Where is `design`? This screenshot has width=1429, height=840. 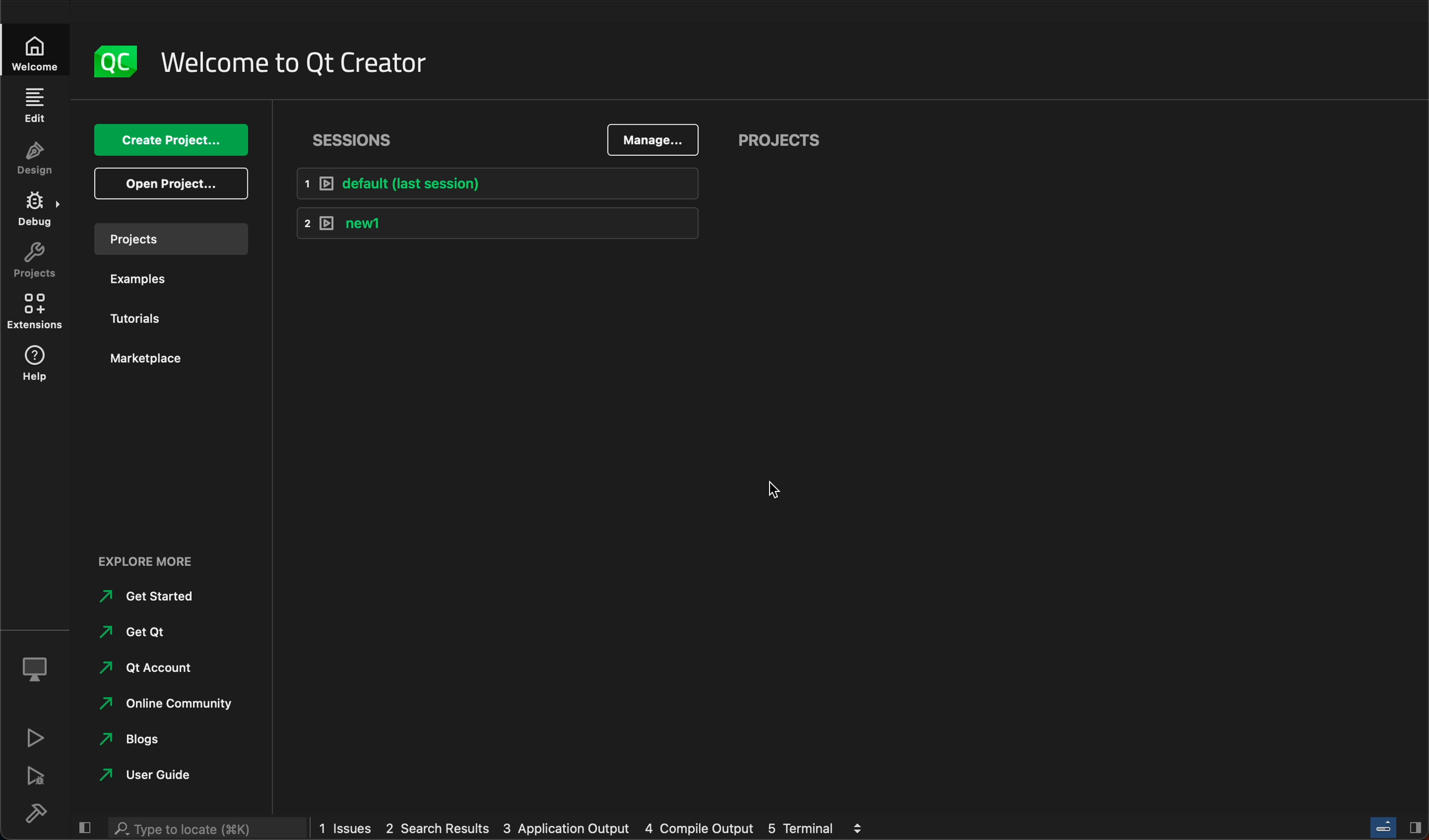 design is located at coordinates (36, 160).